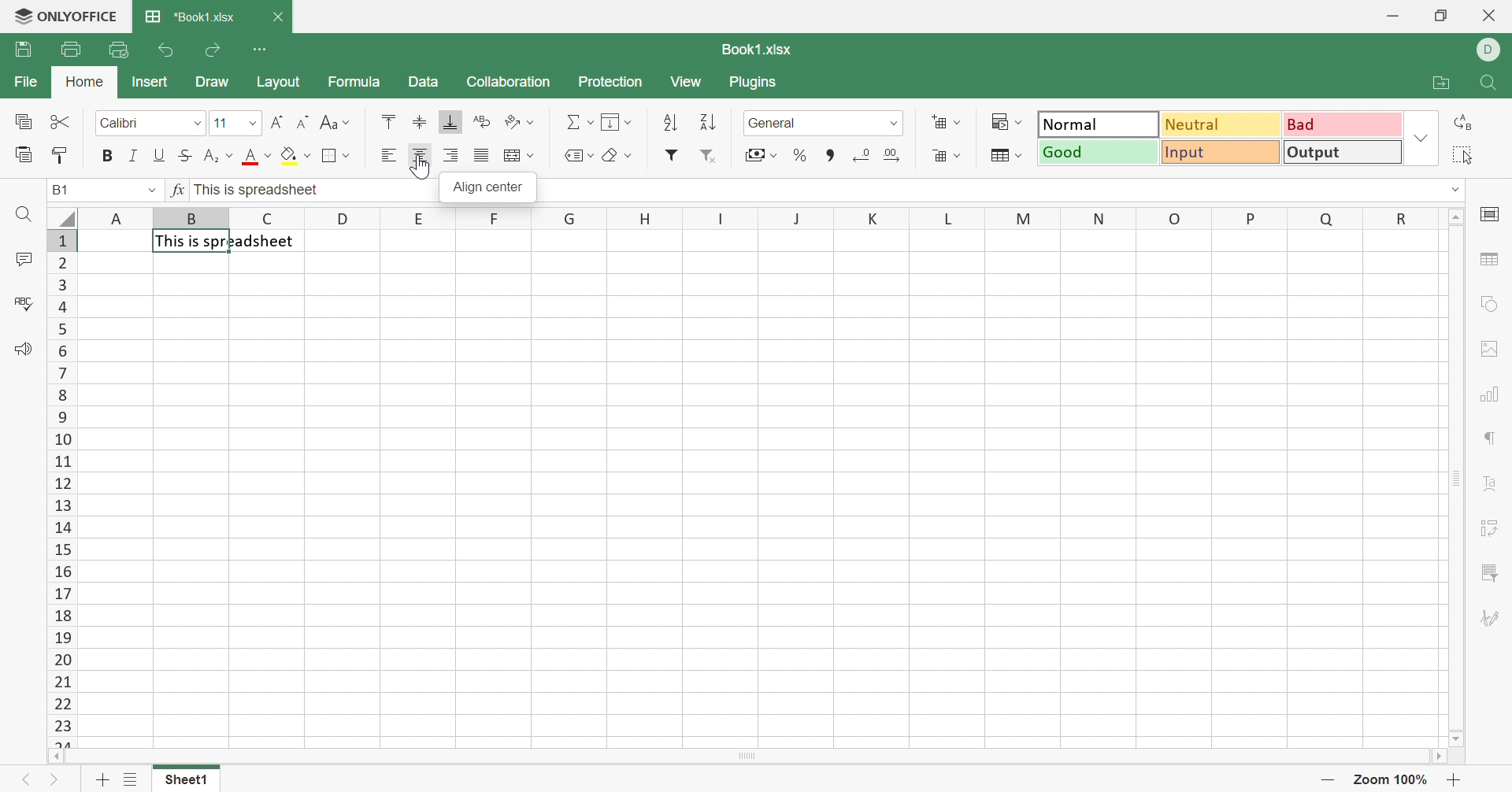  I want to click on List of sheets, so click(132, 779).